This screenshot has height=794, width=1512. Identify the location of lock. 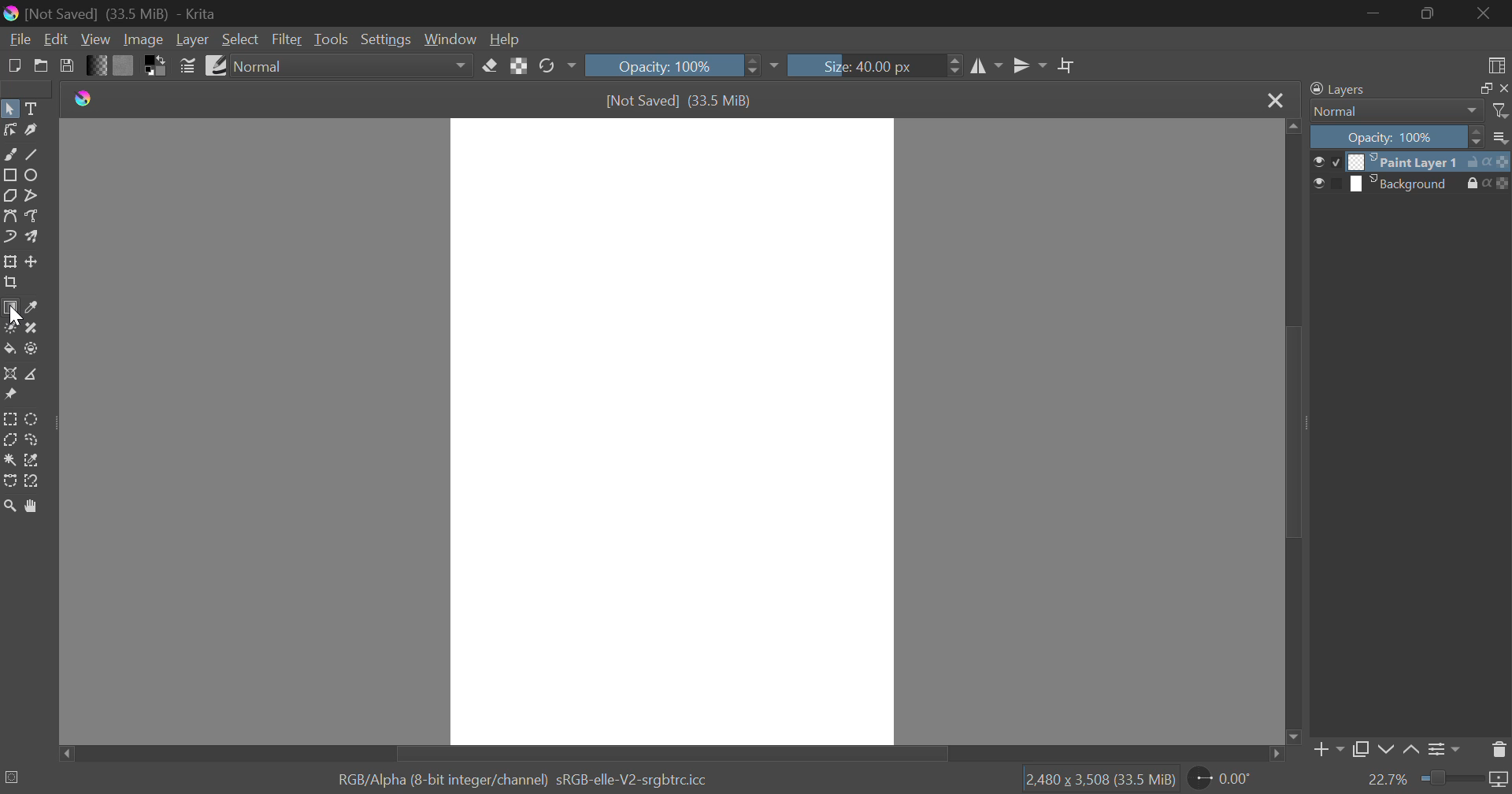
(1476, 184).